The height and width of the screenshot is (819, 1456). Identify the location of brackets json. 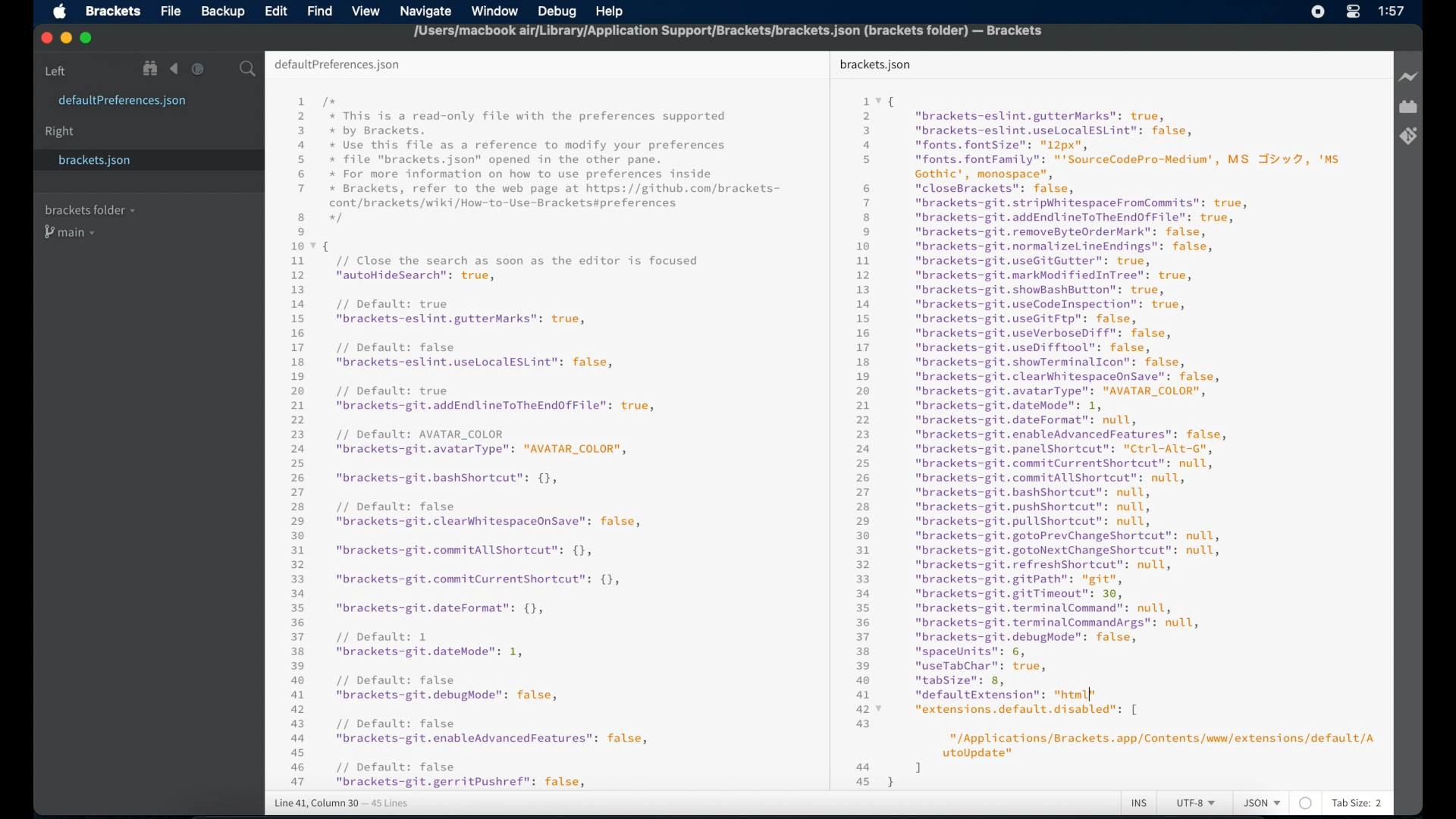
(875, 64).